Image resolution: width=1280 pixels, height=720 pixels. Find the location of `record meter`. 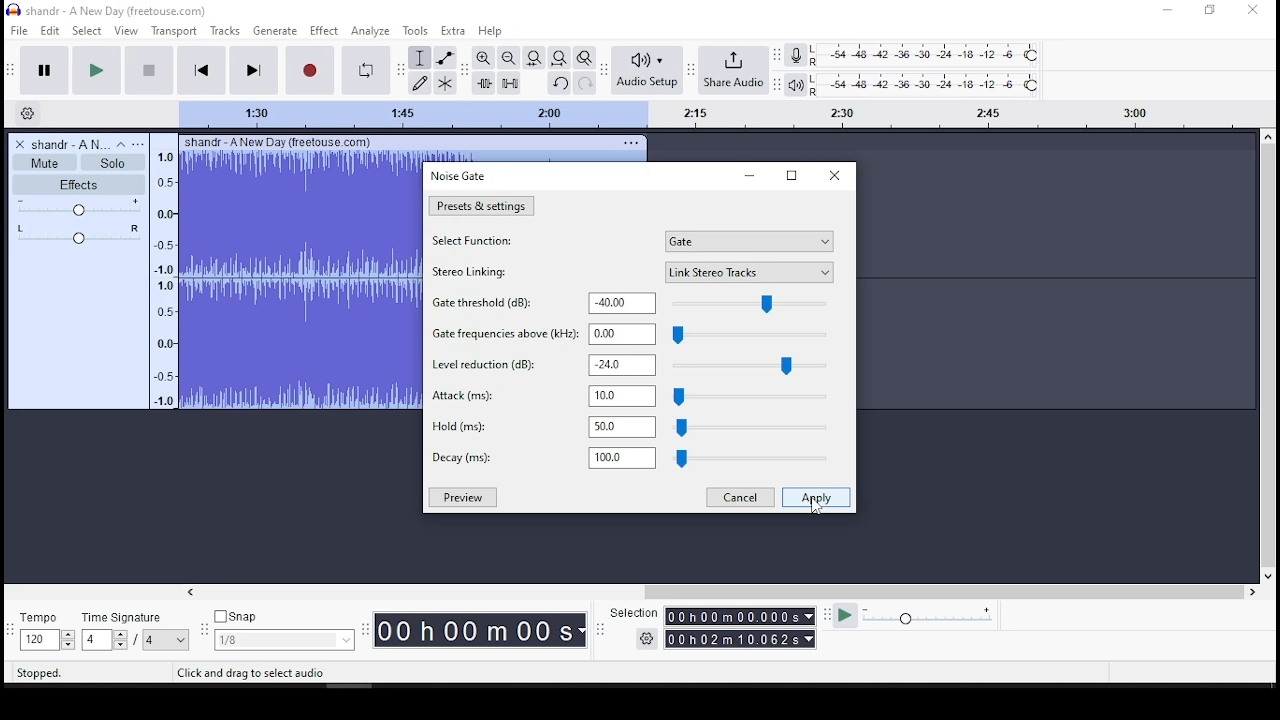

record meter is located at coordinates (797, 56).